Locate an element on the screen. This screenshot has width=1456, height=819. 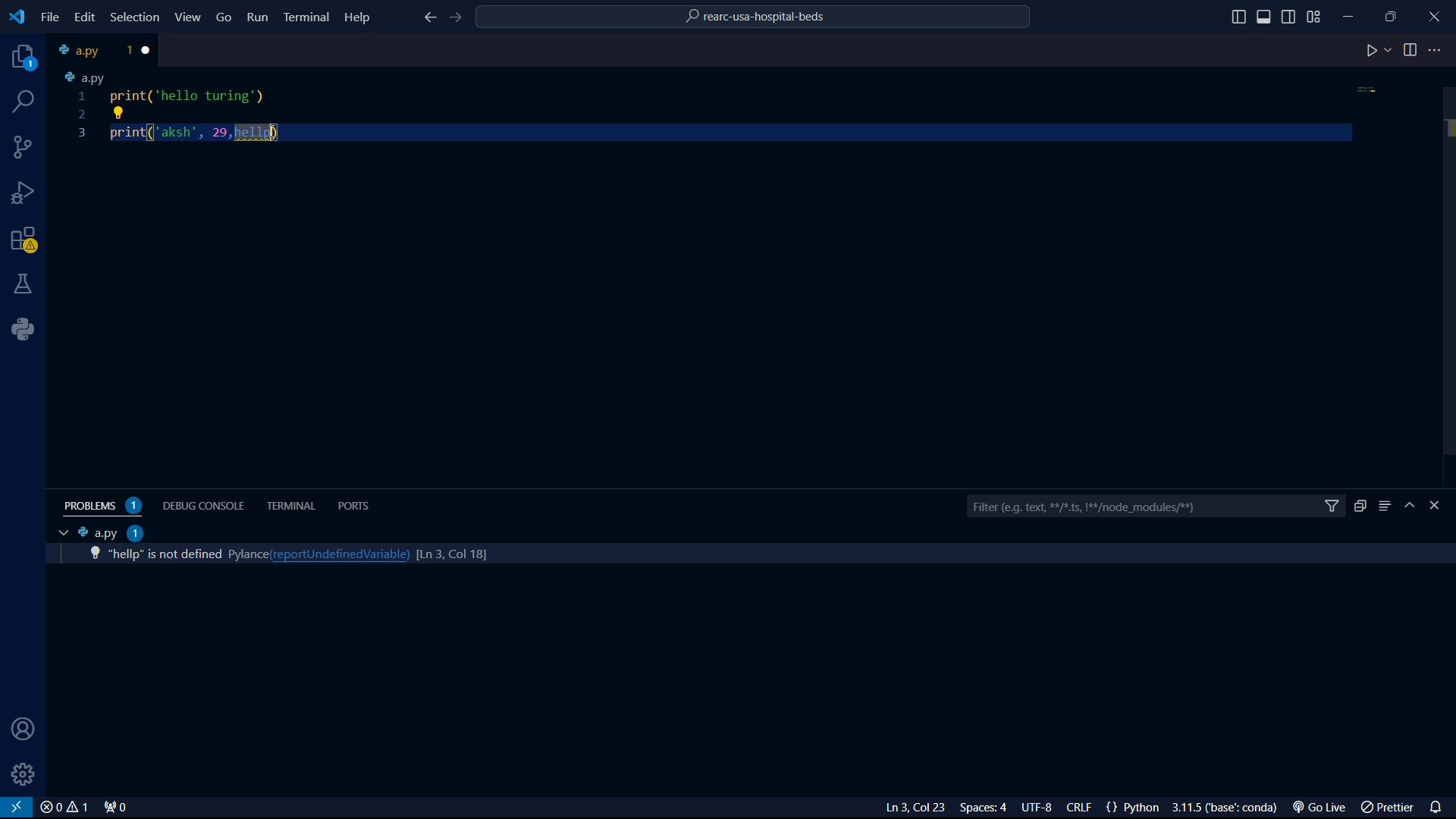
toggle sidebar is located at coordinates (1290, 15).